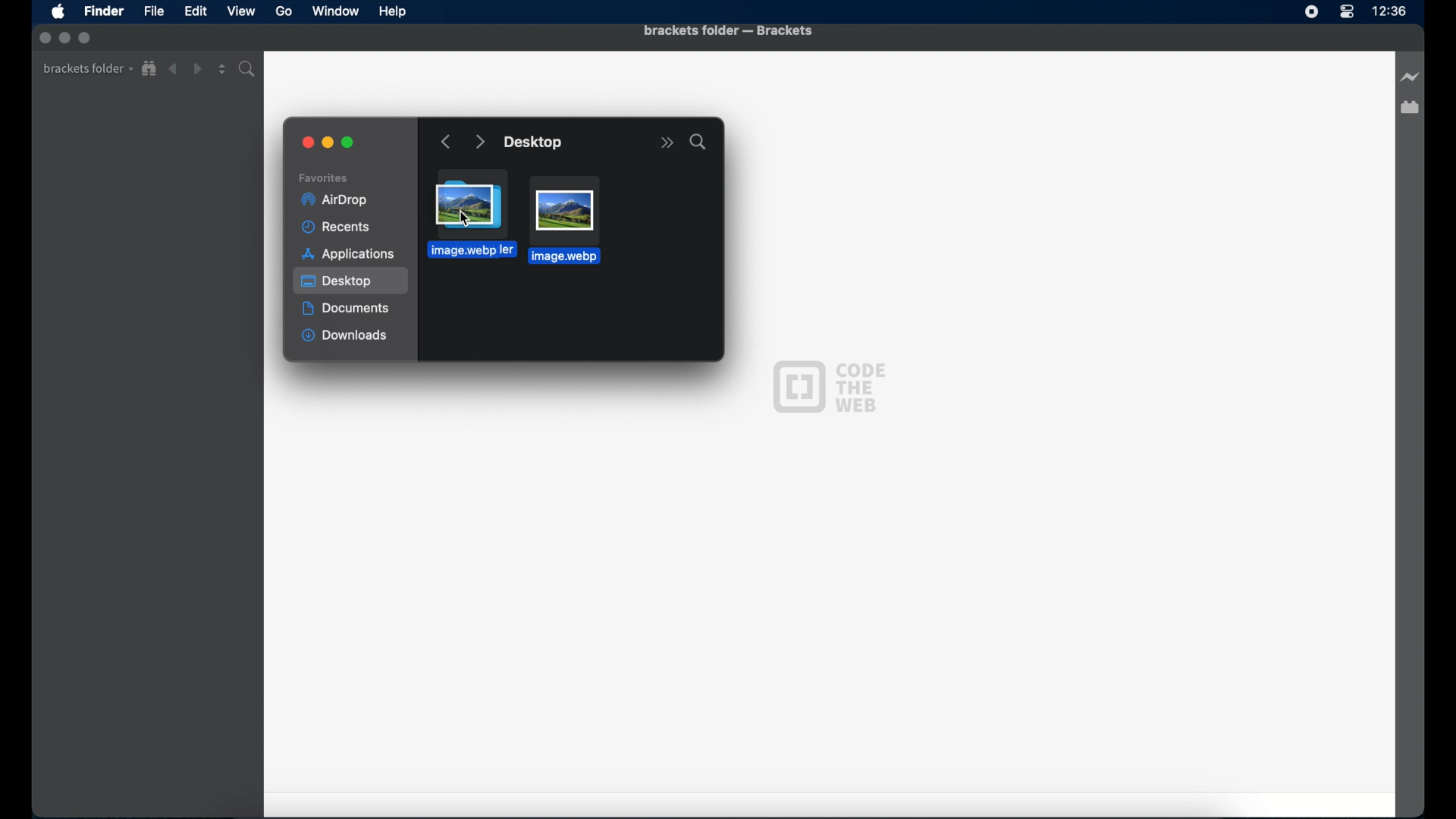 The image size is (1456, 819). I want to click on code the web, so click(829, 385).